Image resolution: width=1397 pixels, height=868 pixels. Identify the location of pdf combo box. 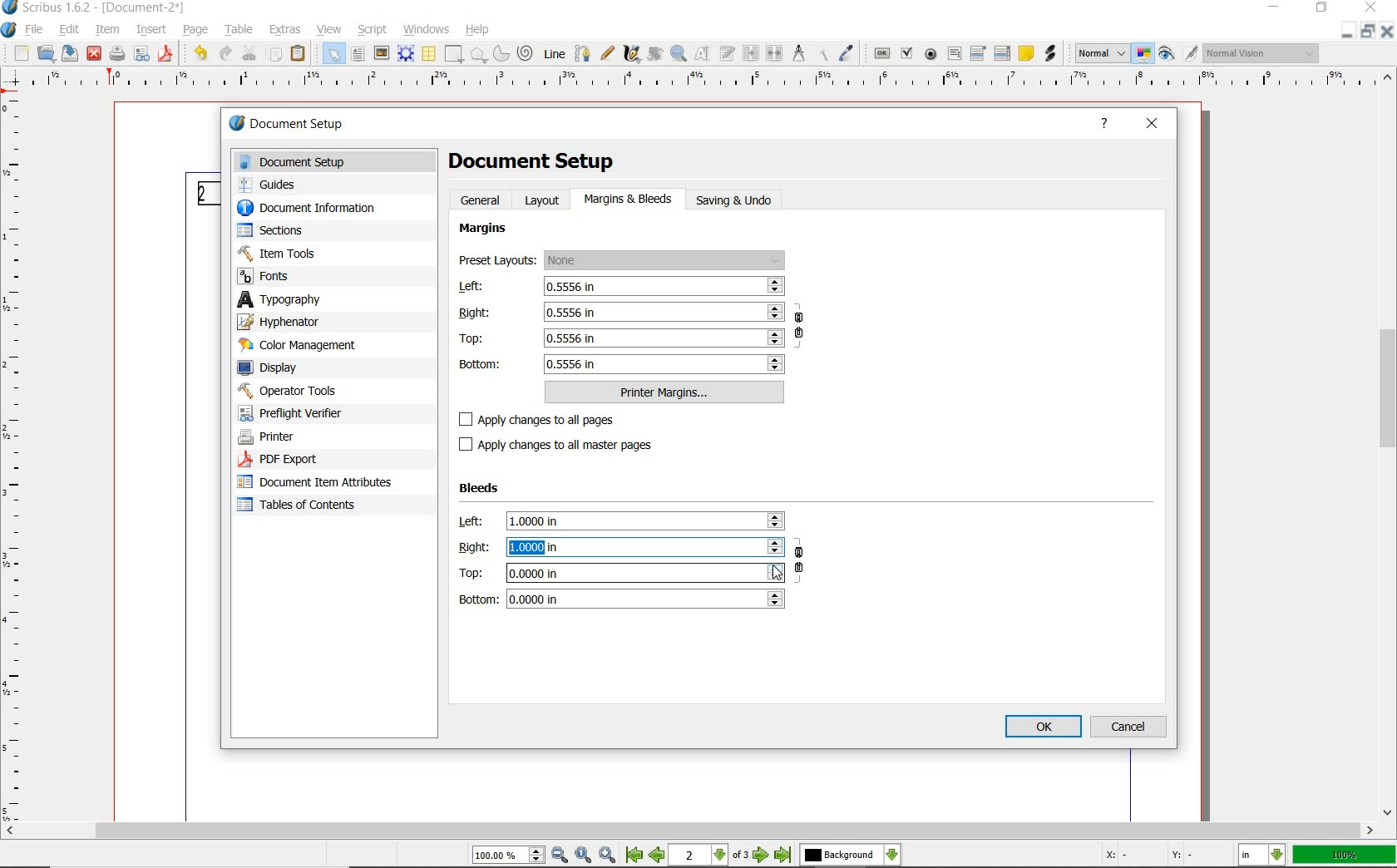
(979, 55).